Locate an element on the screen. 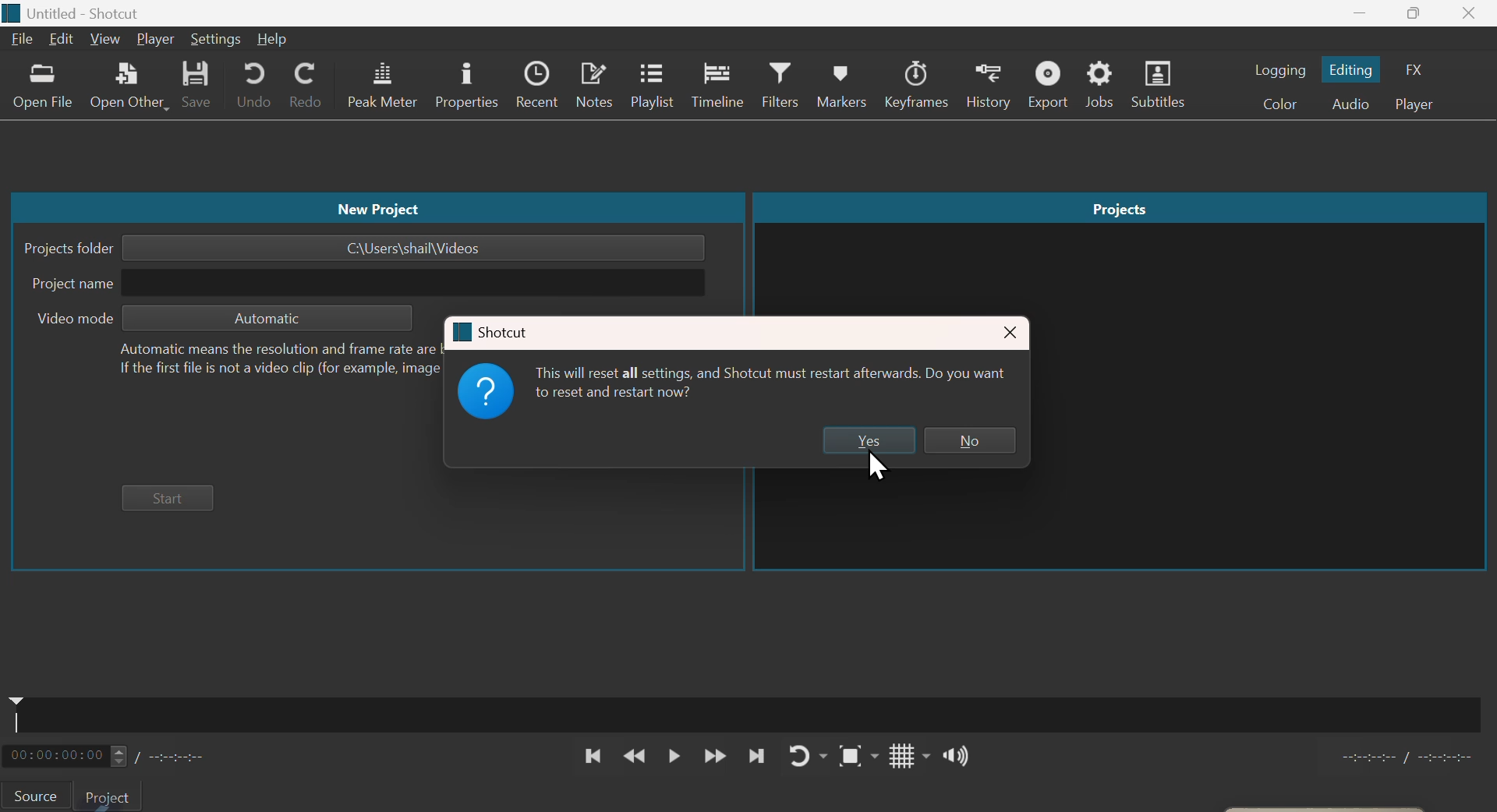  Speaker is located at coordinates (947, 757).